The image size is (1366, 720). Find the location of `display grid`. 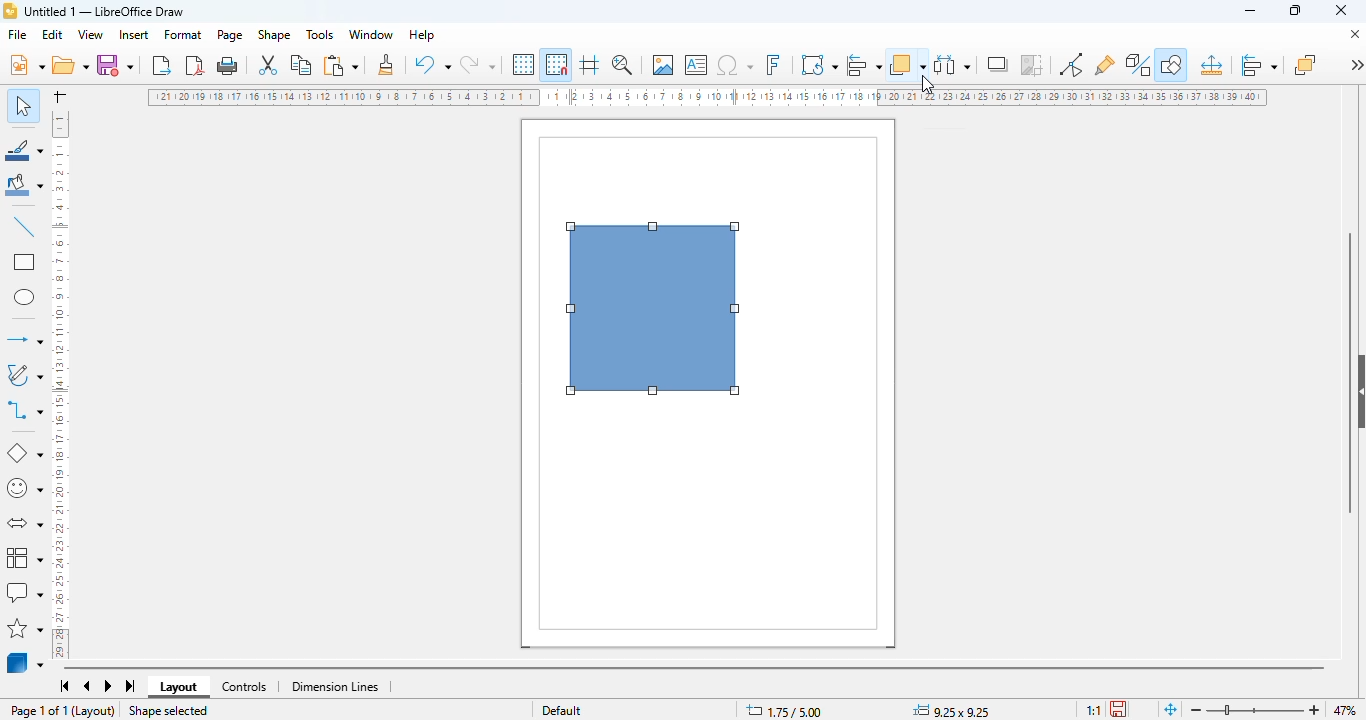

display grid is located at coordinates (524, 64).